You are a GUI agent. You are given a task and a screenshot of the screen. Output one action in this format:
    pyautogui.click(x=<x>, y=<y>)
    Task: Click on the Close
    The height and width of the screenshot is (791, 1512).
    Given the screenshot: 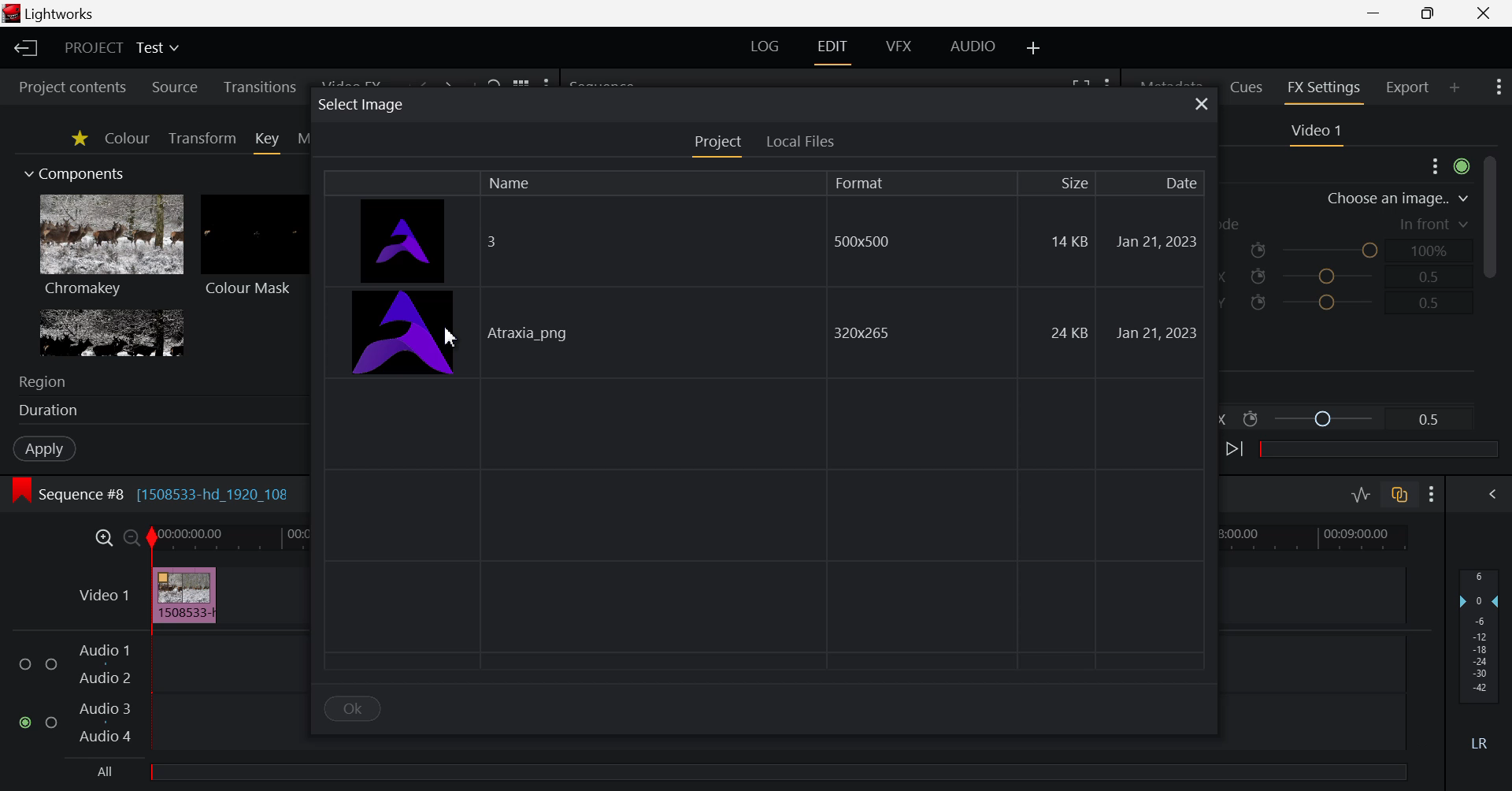 What is the action you would take?
    pyautogui.click(x=1484, y=13)
    